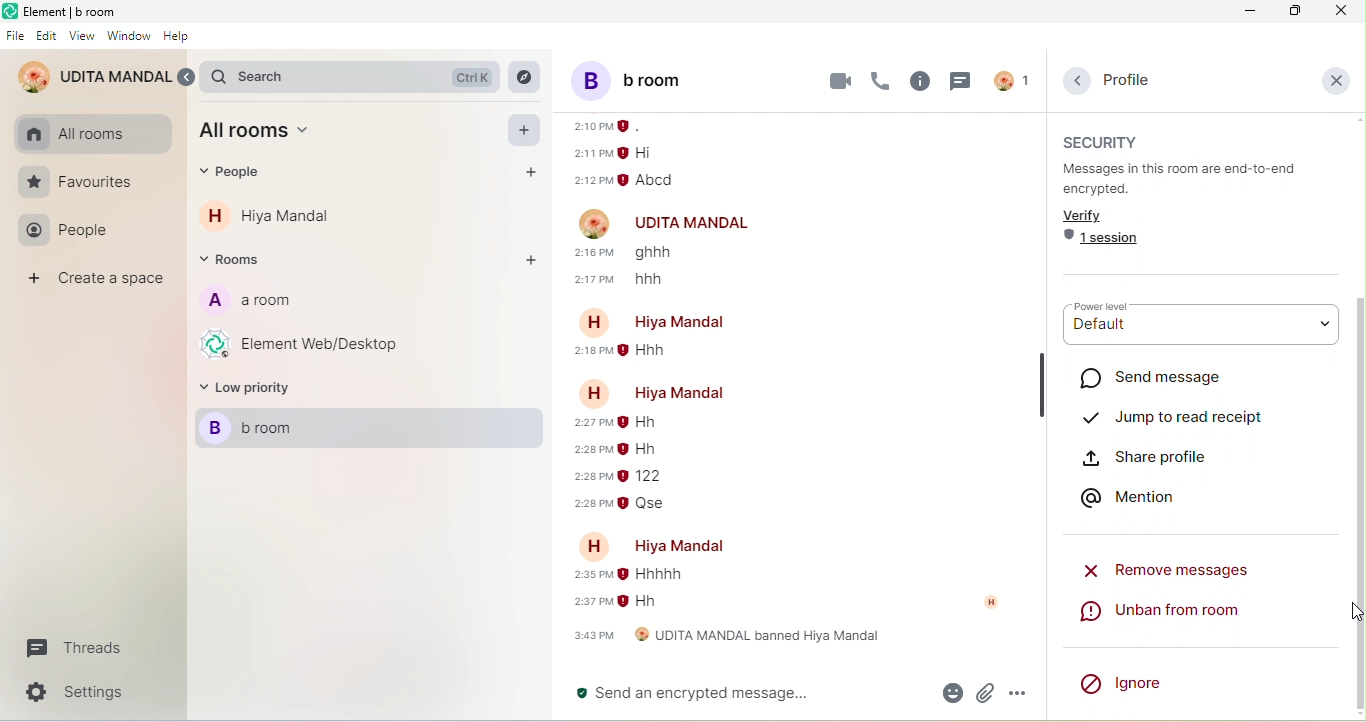  Describe the element at coordinates (949, 692) in the screenshot. I see `emoji` at that location.